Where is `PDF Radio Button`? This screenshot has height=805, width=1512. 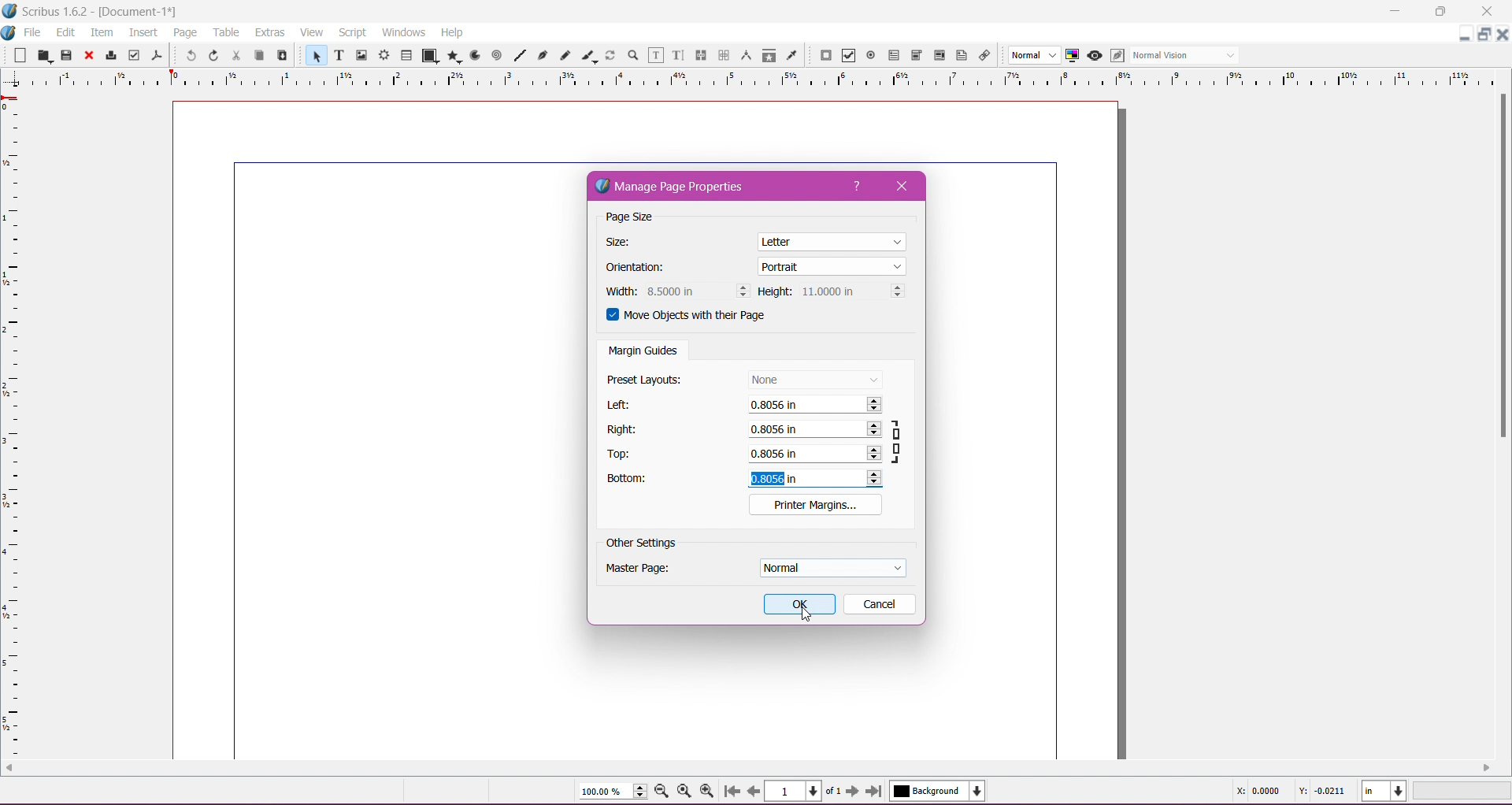
PDF Radio Button is located at coordinates (871, 56).